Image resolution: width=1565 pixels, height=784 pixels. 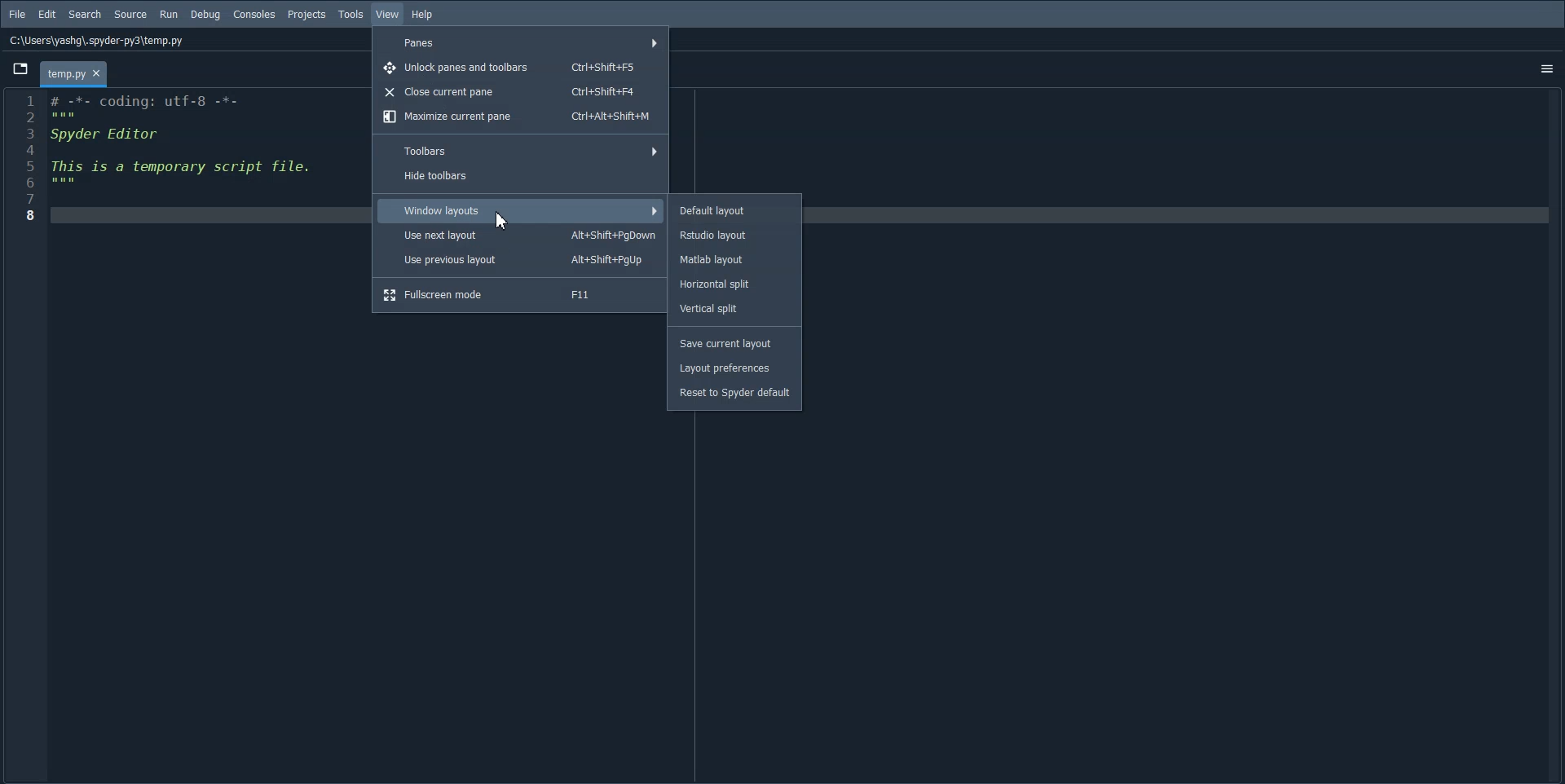 What do you see at coordinates (504, 222) in the screenshot?
I see `cursor` at bounding box center [504, 222].